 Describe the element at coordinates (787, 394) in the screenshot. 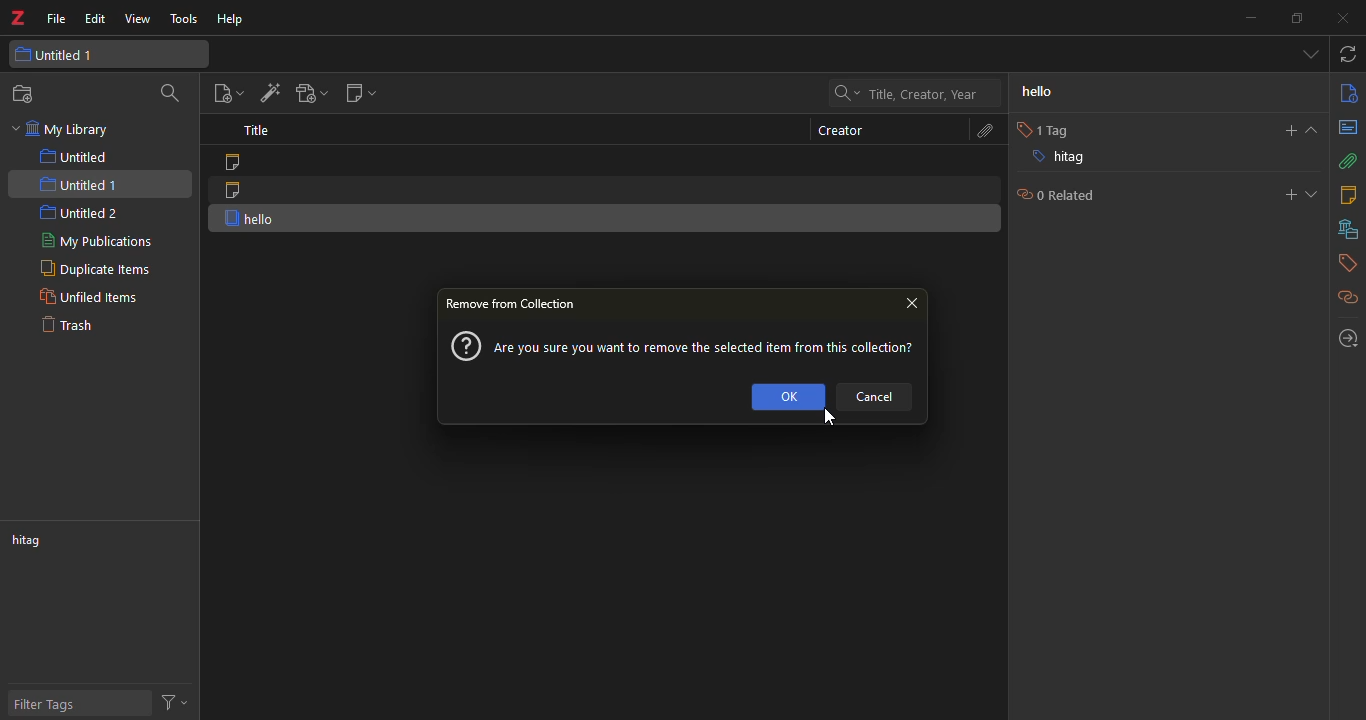

I see `ok` at that location.